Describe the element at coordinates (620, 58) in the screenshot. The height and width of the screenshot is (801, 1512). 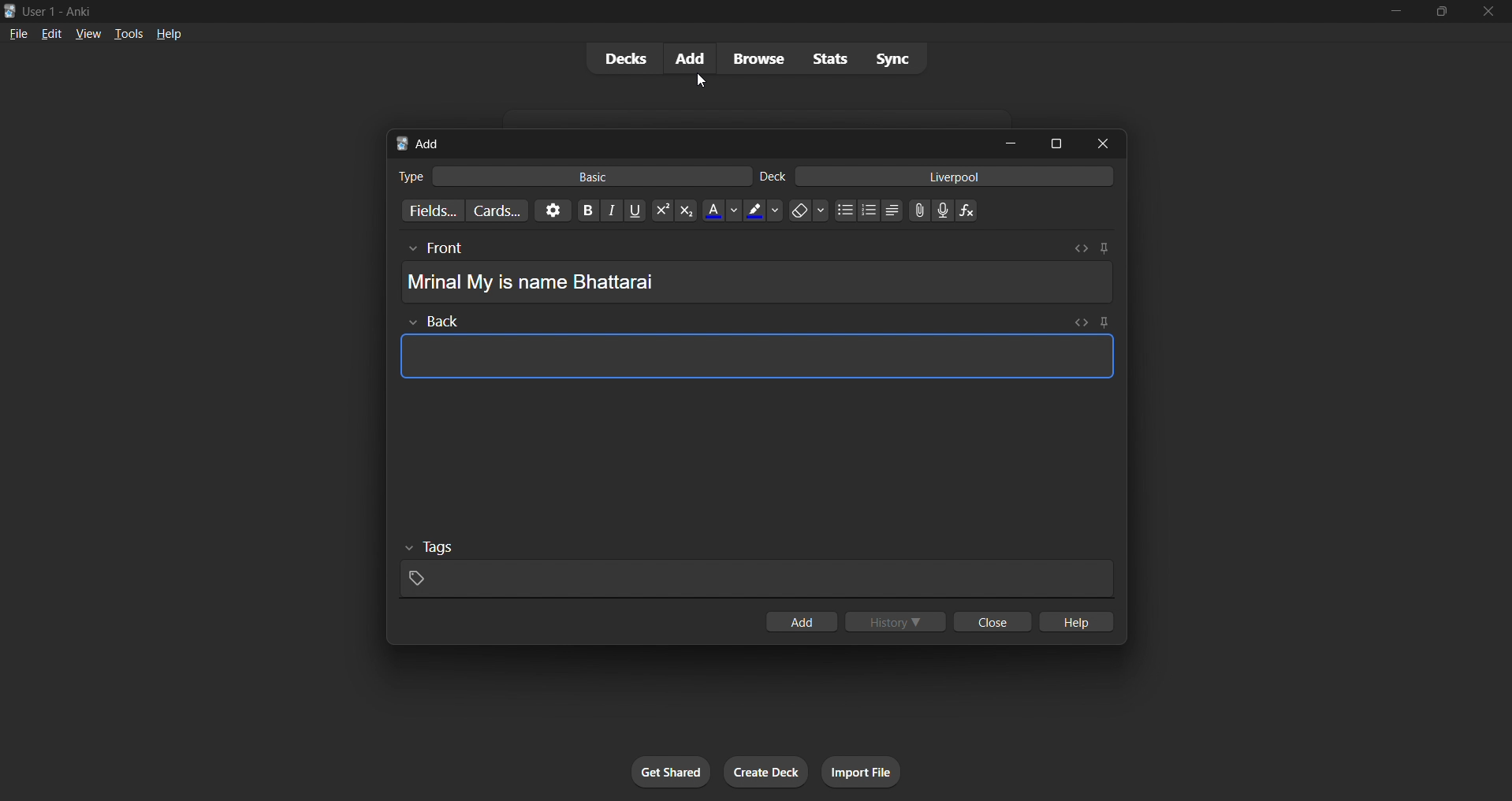
I see `decks` at that location.